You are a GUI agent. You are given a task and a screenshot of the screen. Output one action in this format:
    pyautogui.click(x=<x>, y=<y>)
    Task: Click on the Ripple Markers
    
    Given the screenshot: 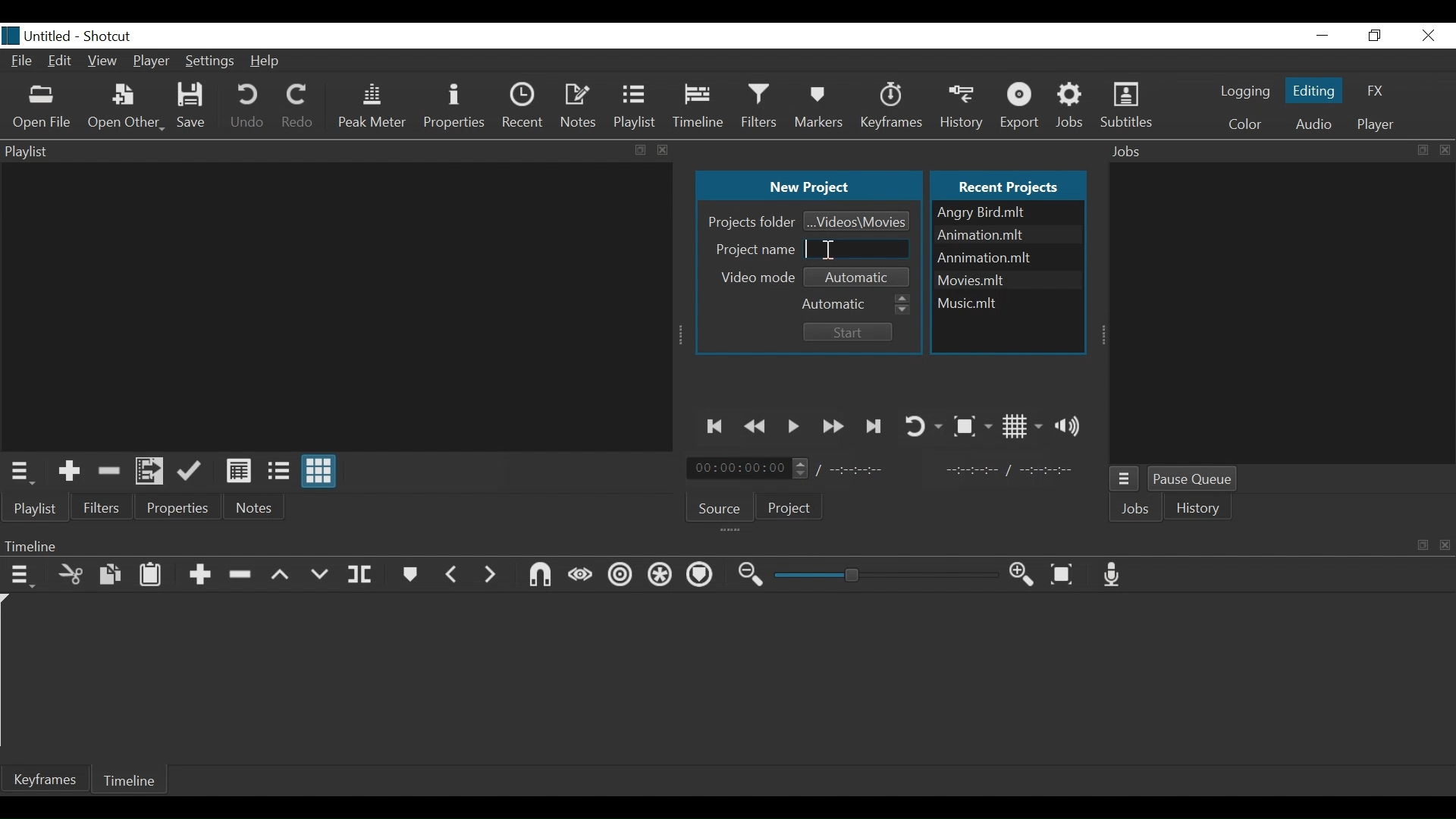 What is the action you would take?
    pyautogui.click(x=702, y=576)
    